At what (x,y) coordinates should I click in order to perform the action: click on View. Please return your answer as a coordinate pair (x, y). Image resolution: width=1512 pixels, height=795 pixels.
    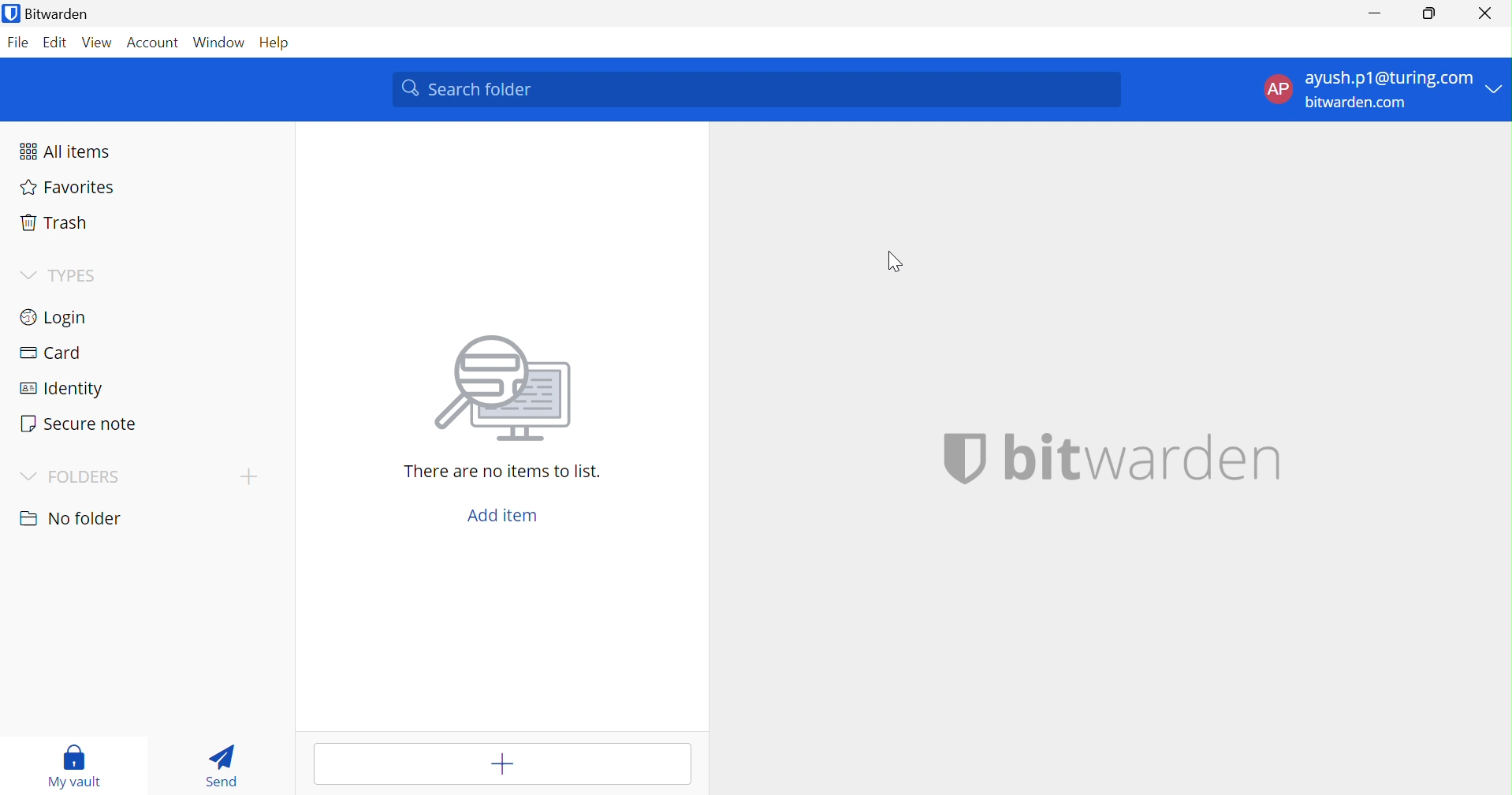
    Looking at the image, I should click on (97, 43).